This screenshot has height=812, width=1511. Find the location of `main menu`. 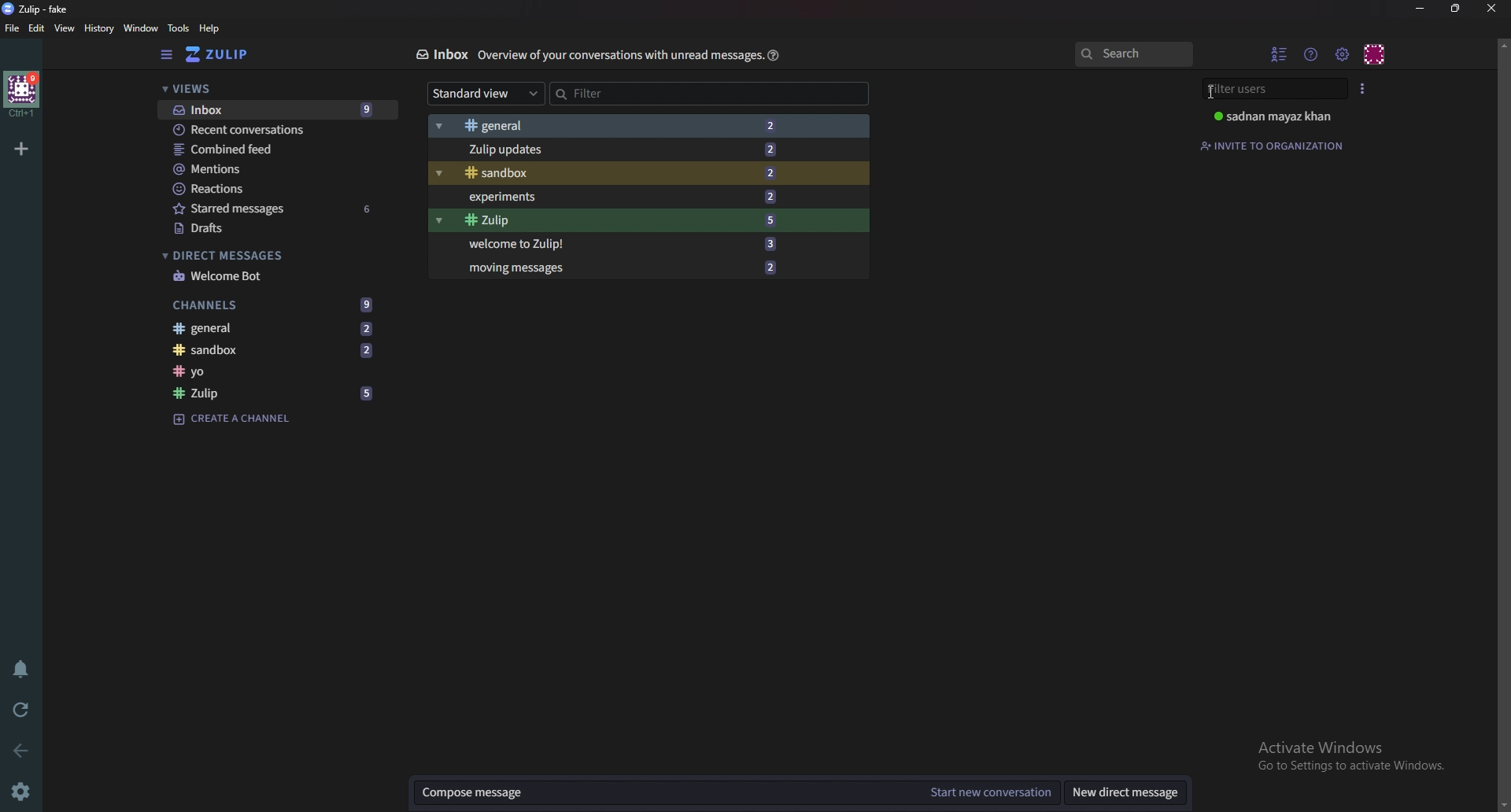

main menu is located at coordinates (1344, 57).